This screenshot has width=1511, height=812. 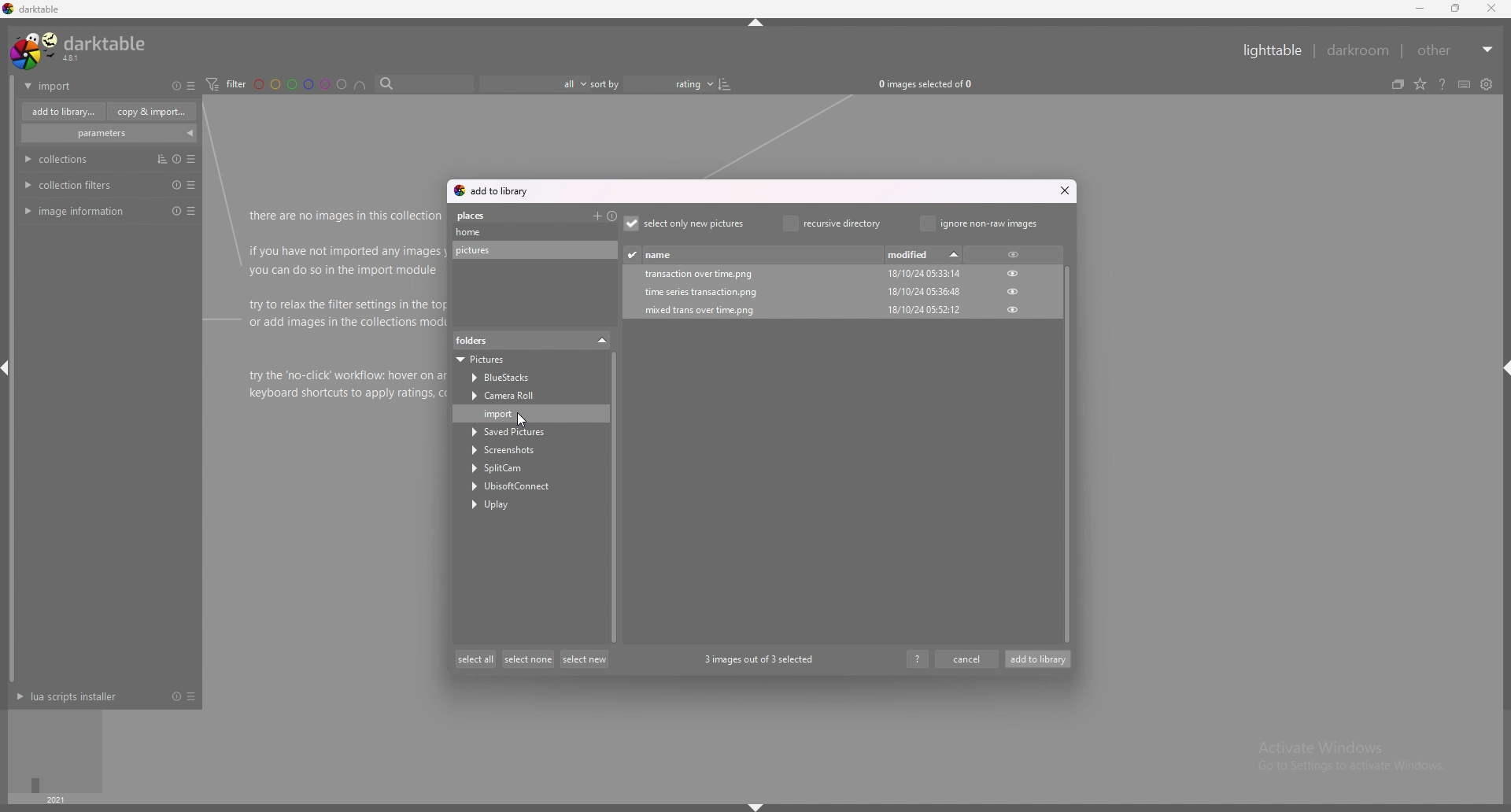 I want to click on modified, so click(x=924, y=254).